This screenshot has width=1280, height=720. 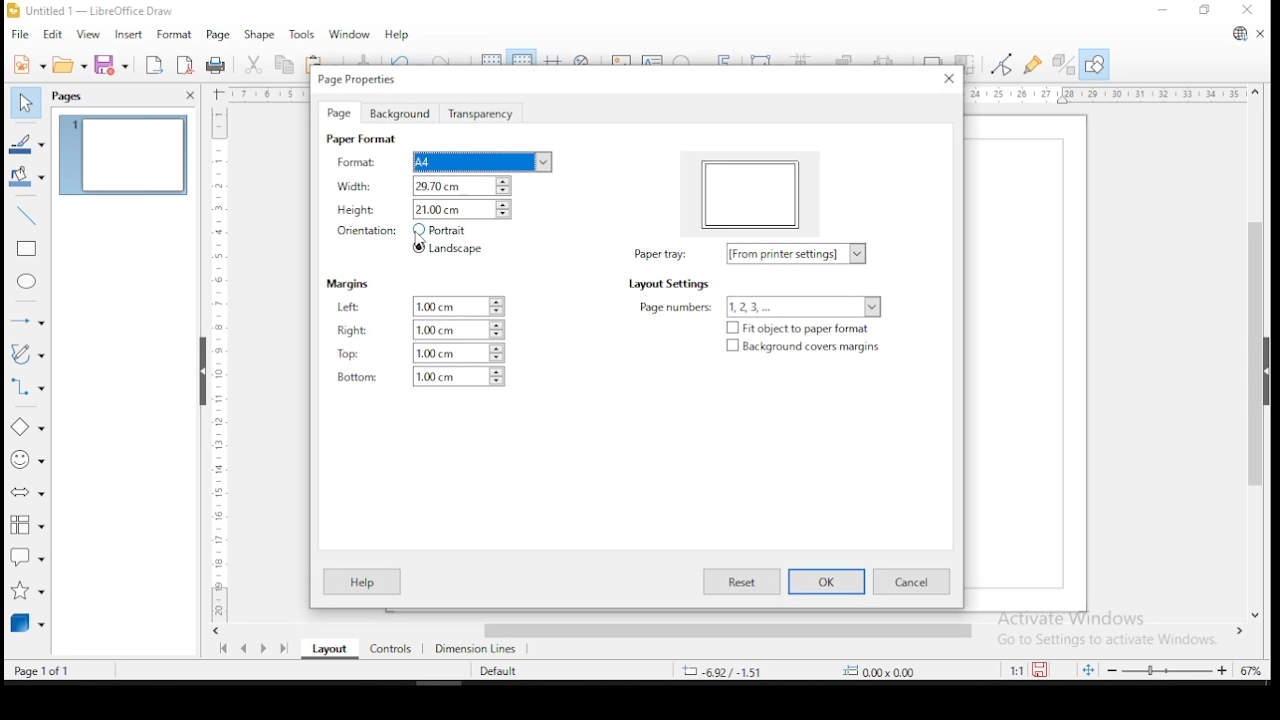 I want to click on transperency, so click(x=480, y=115).